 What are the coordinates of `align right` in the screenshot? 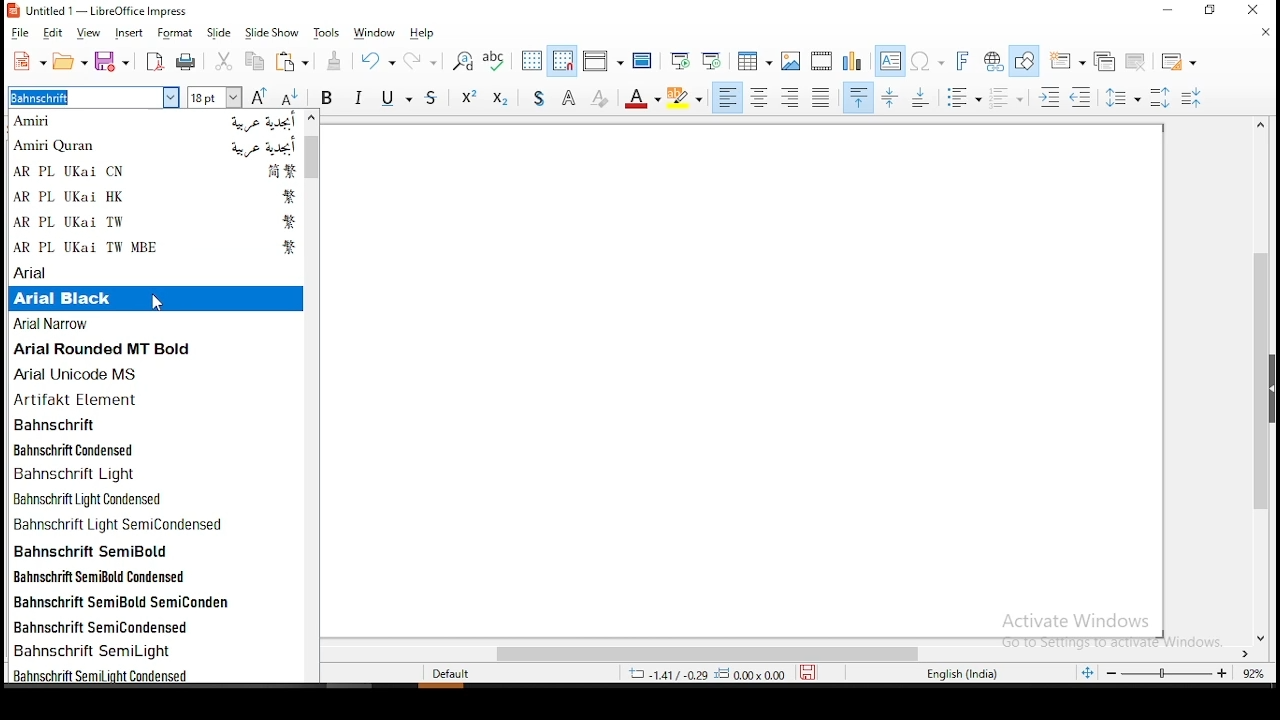 It's located at (791, 97).